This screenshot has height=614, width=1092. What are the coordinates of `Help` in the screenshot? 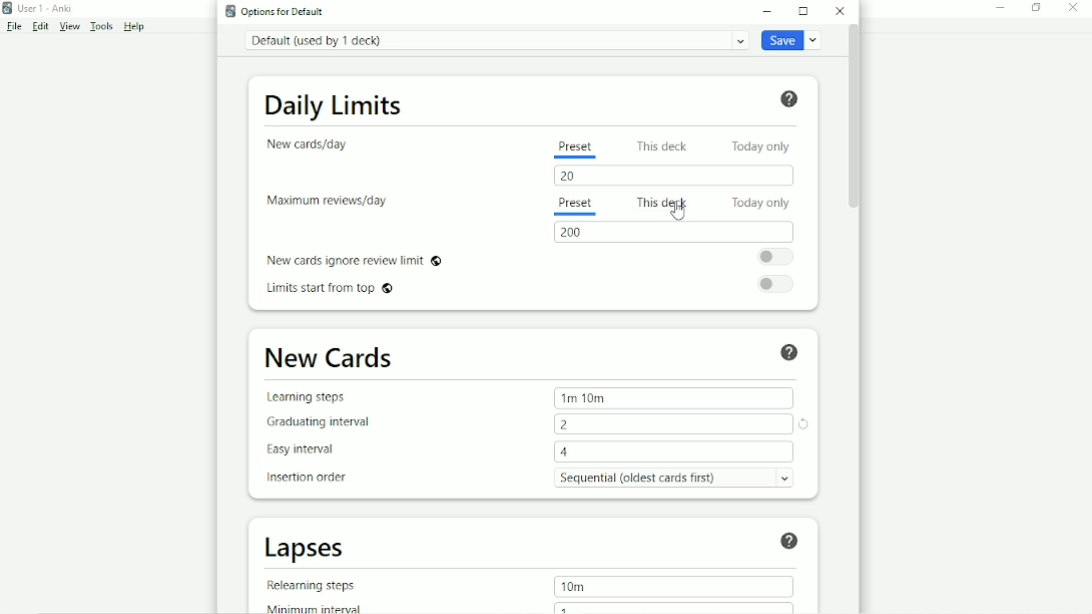 It's located at (790, 351).